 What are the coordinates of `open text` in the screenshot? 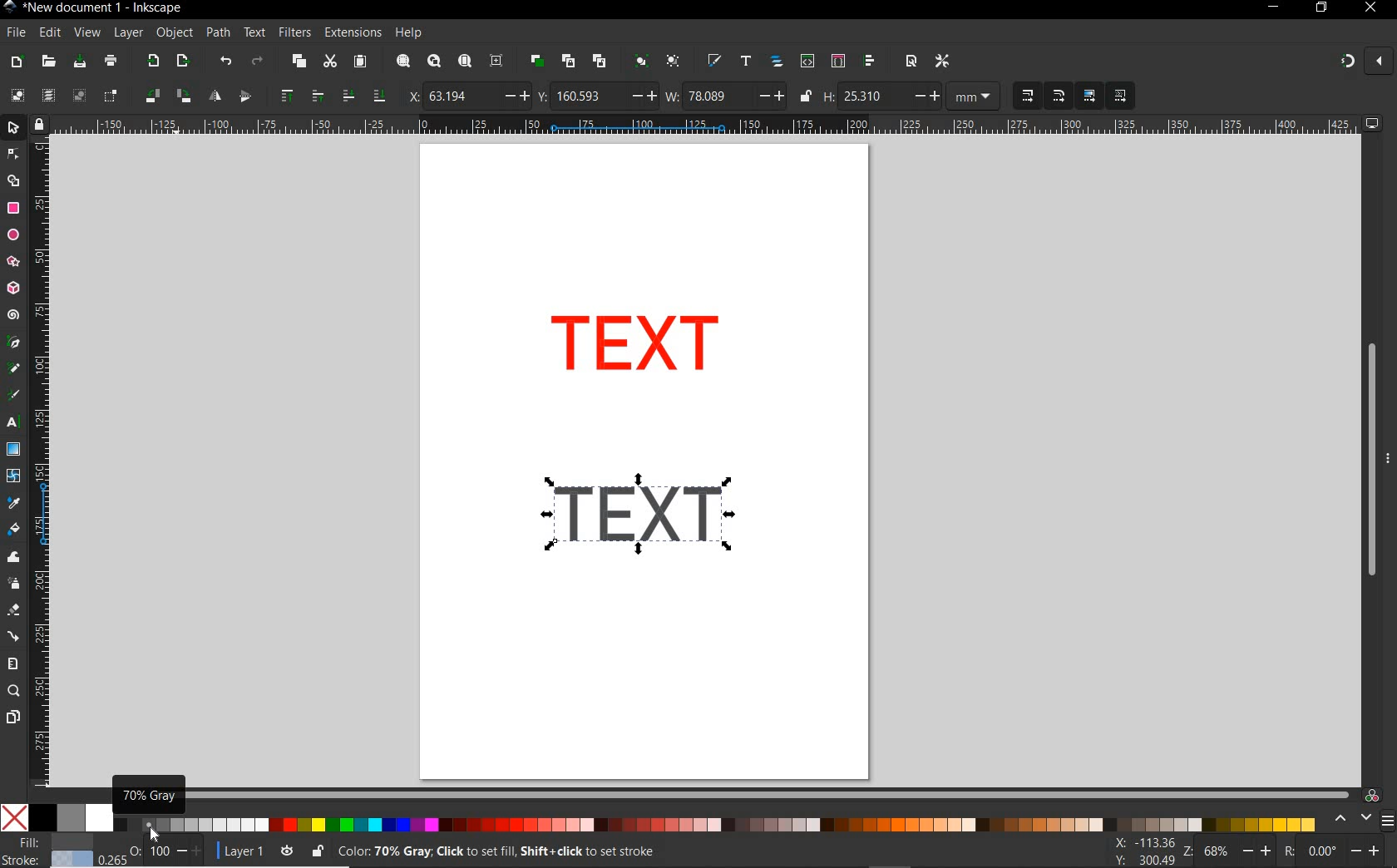 It's located at (746, 62).